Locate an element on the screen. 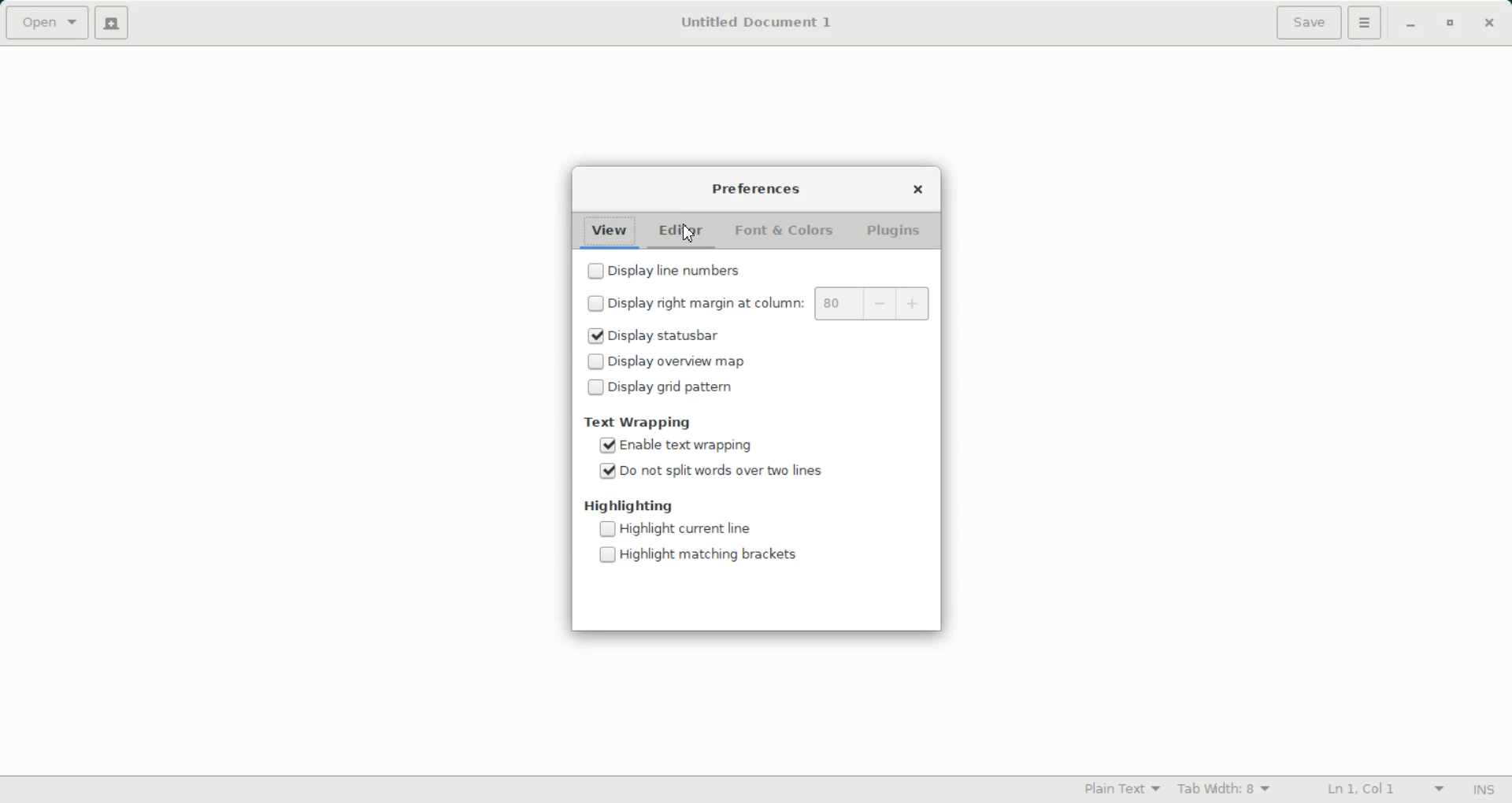 Image resolution: width=1512 pixels, height=803 pixels. Maximize is located at coordinates (1449, 24).